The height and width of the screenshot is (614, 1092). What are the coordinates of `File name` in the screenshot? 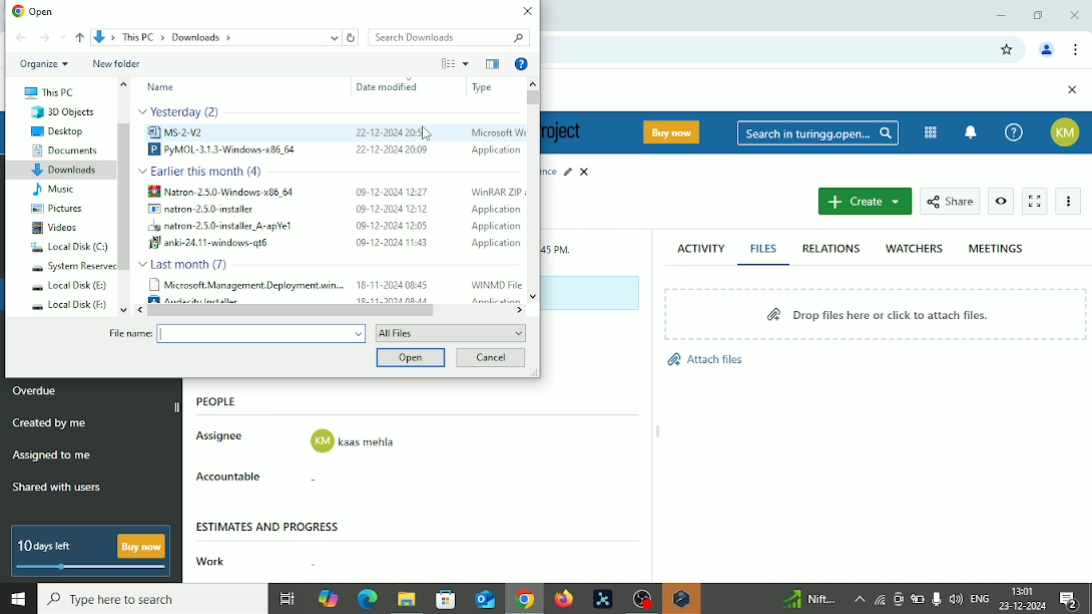 It's located at (262, 334).